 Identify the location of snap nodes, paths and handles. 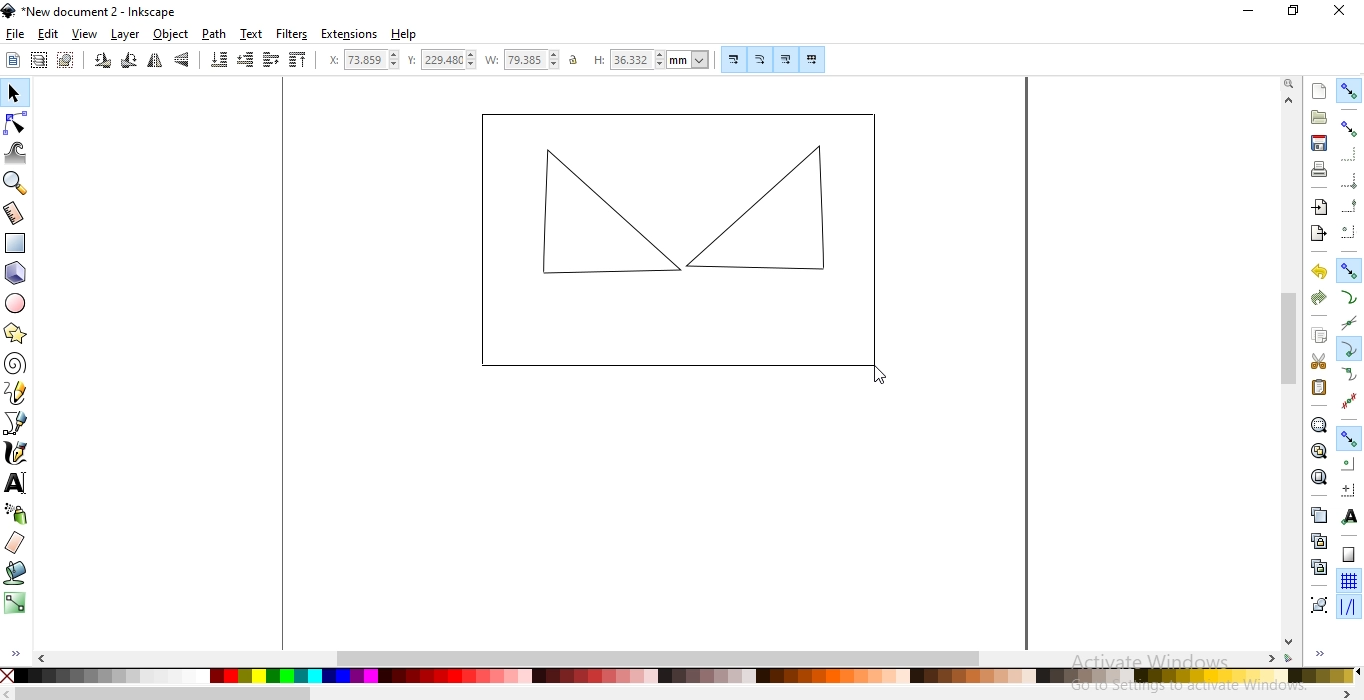
(1349, 271).